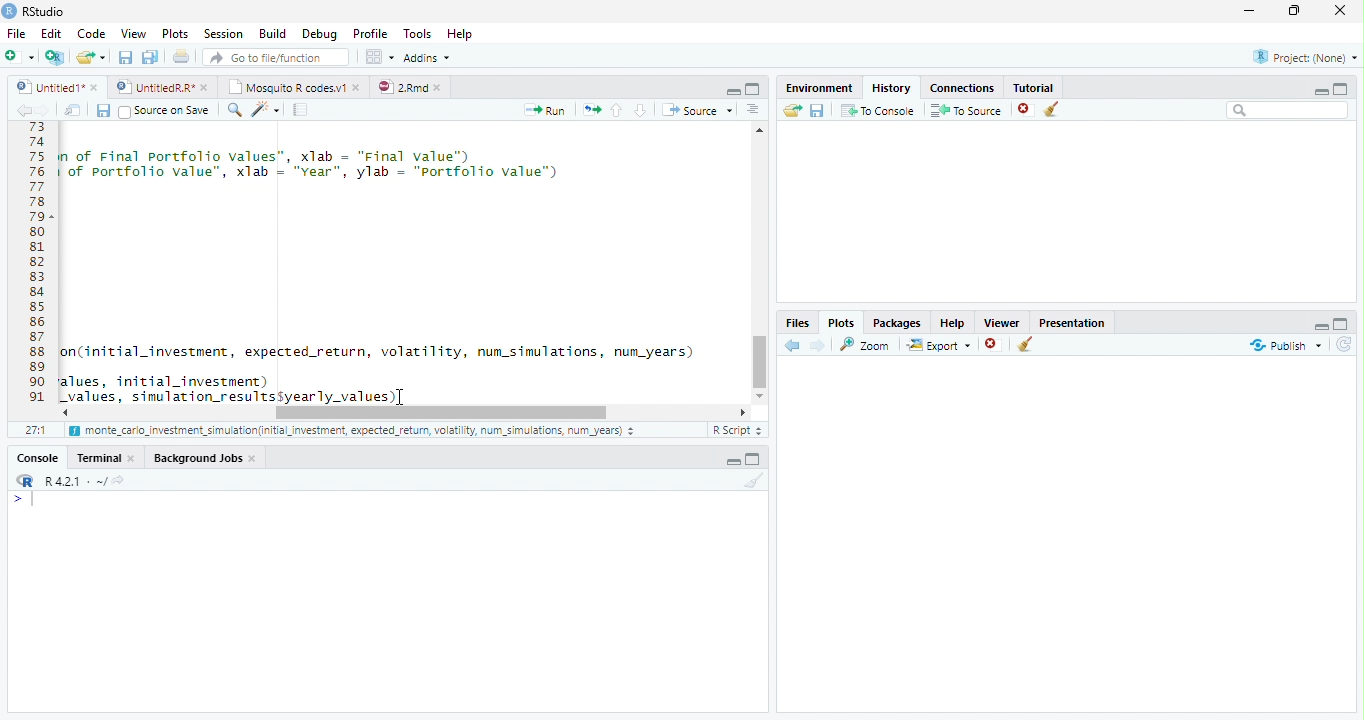 This screenshot has height=720, width=1364. What do you see at coordinates (753, 111) in the screenshot?
I see `Show document outline` at bounding box center [753, 111].